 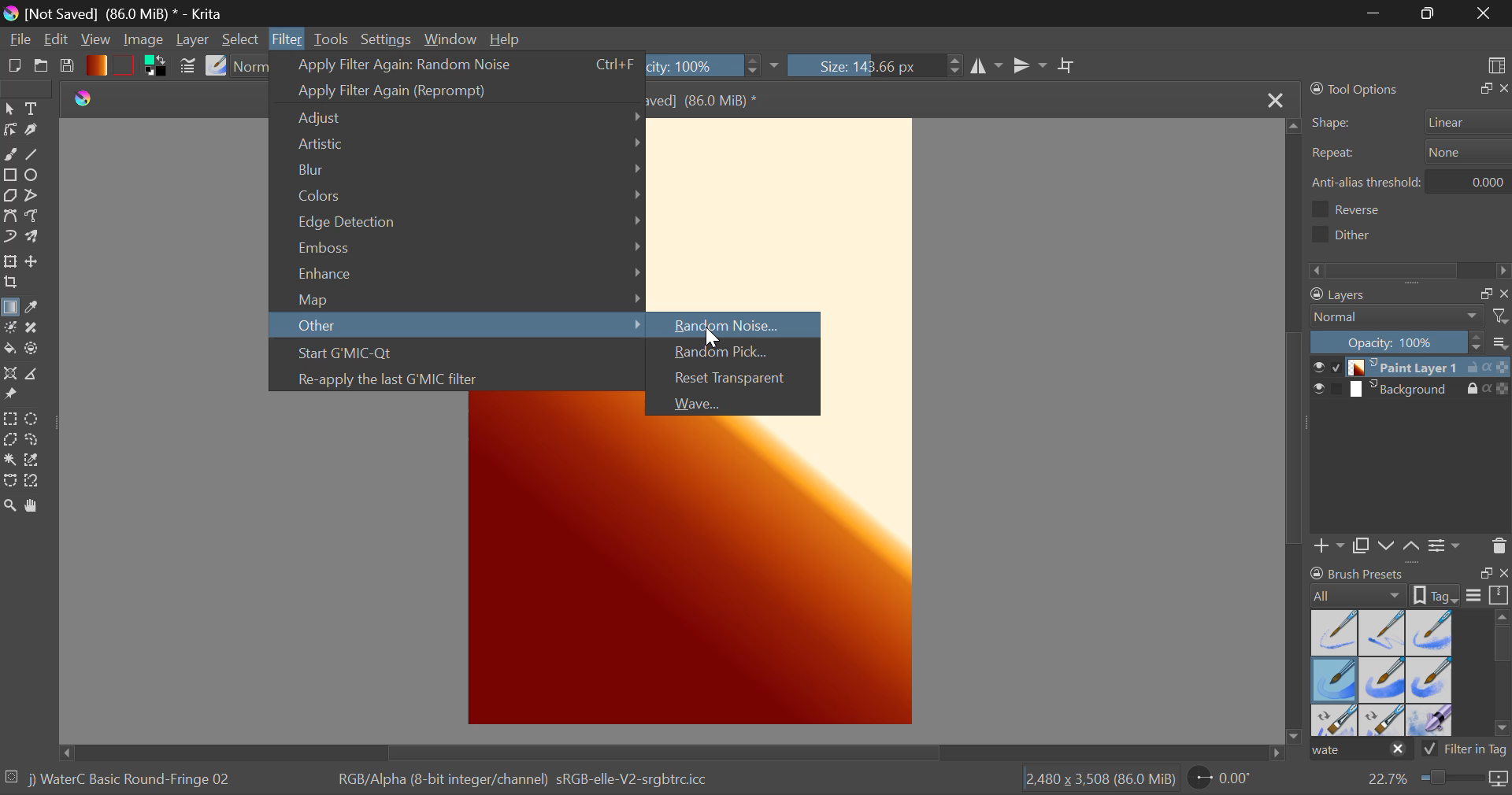 I want to click on Choose Workspace, so click(x=1495, y=64).